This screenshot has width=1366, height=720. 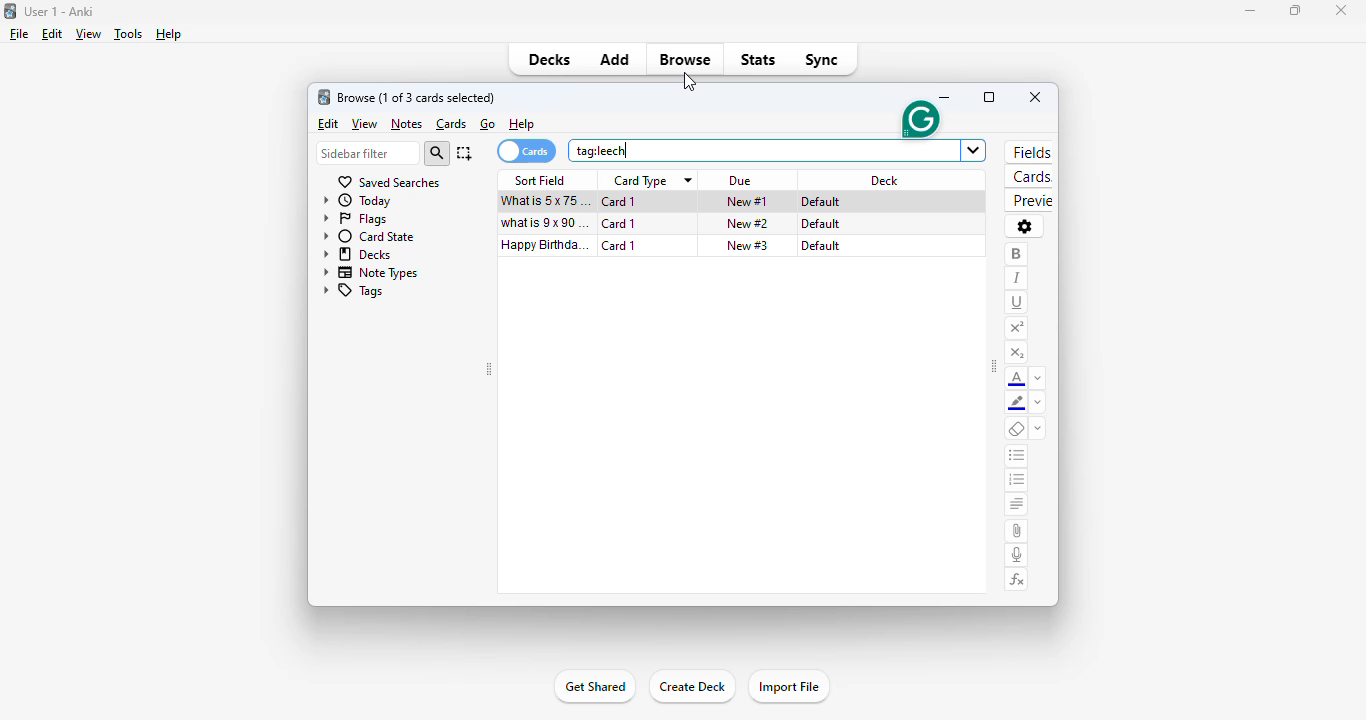 I want to click on help, so click(x=522, y=124).